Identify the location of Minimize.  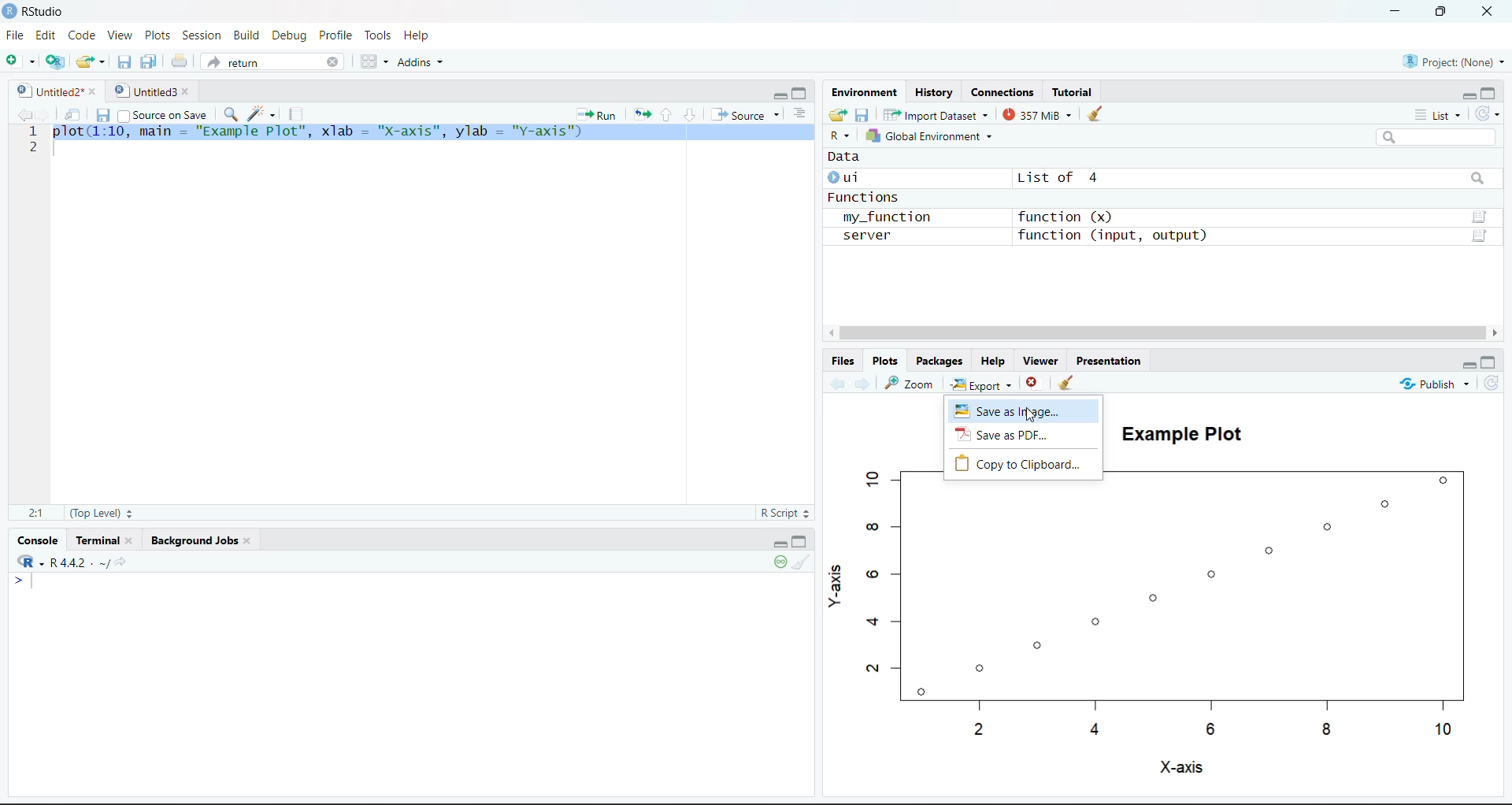
(1468, 365).